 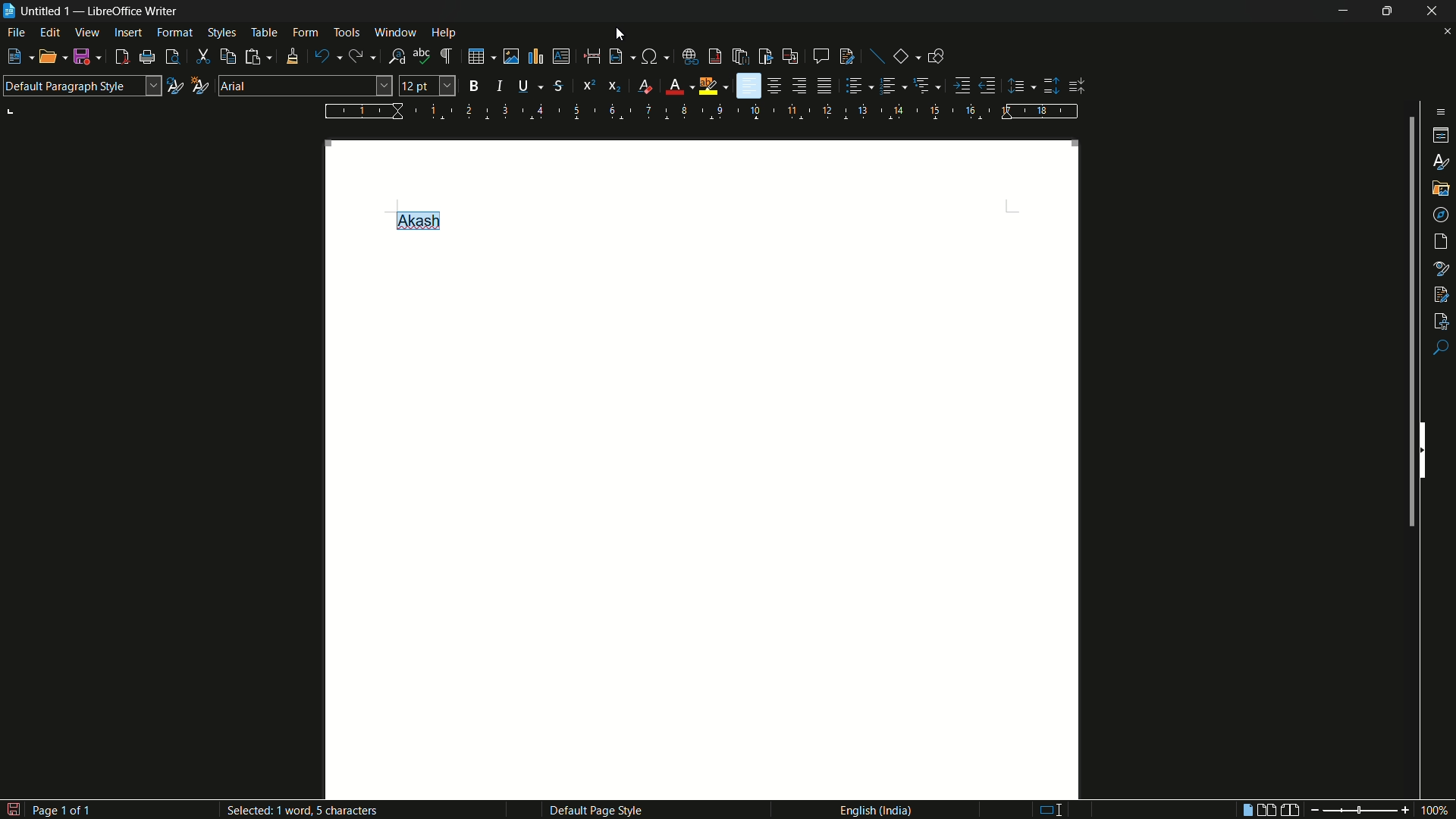 I want to click on file menu, so click(x=17, y=34).